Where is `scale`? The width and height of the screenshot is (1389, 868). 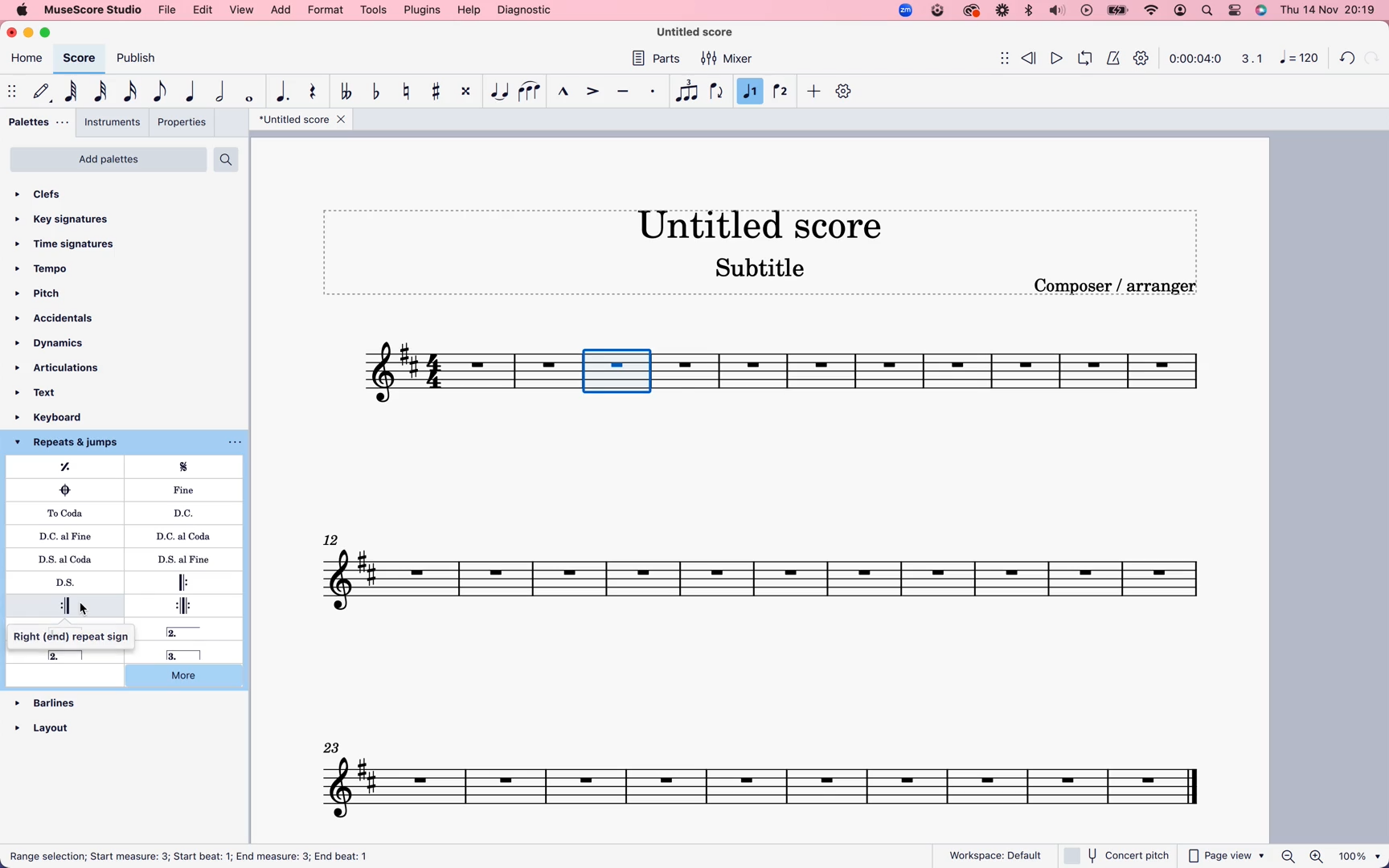 scale is located at coordinates (1249, 59).